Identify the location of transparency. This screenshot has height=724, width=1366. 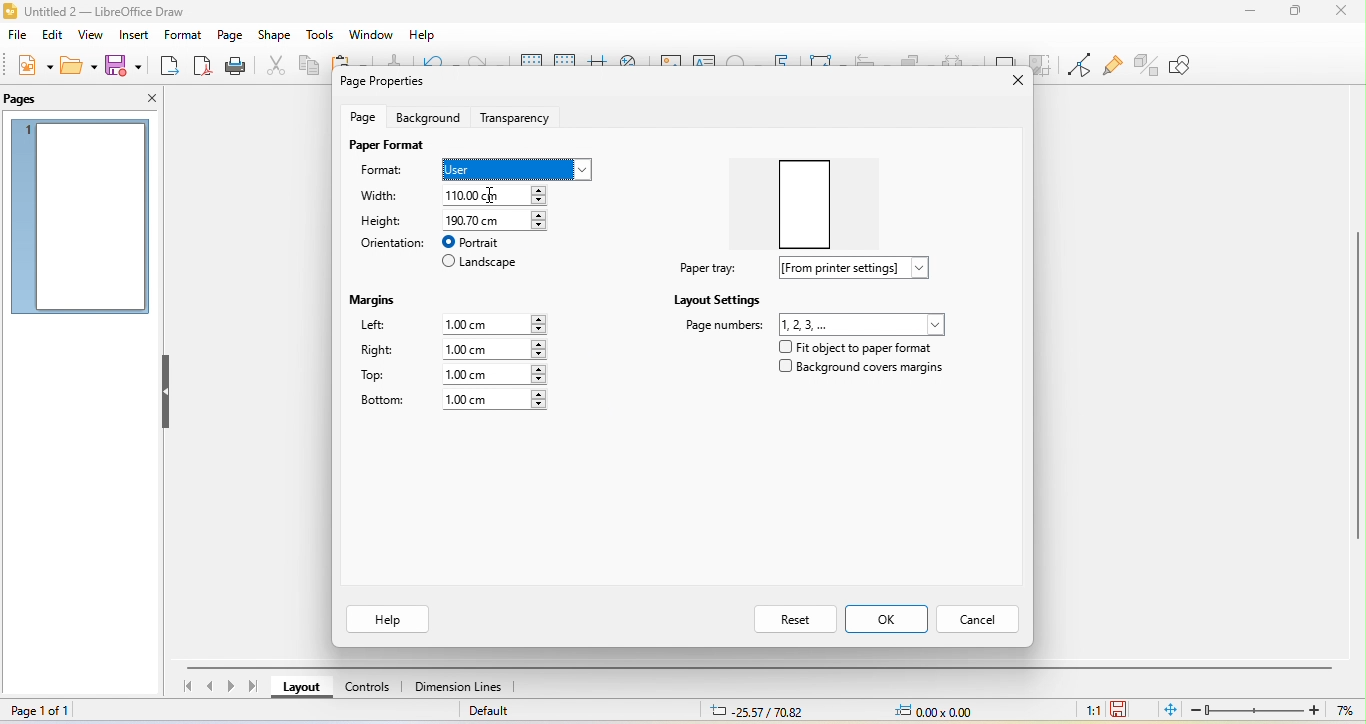
(520, 115).